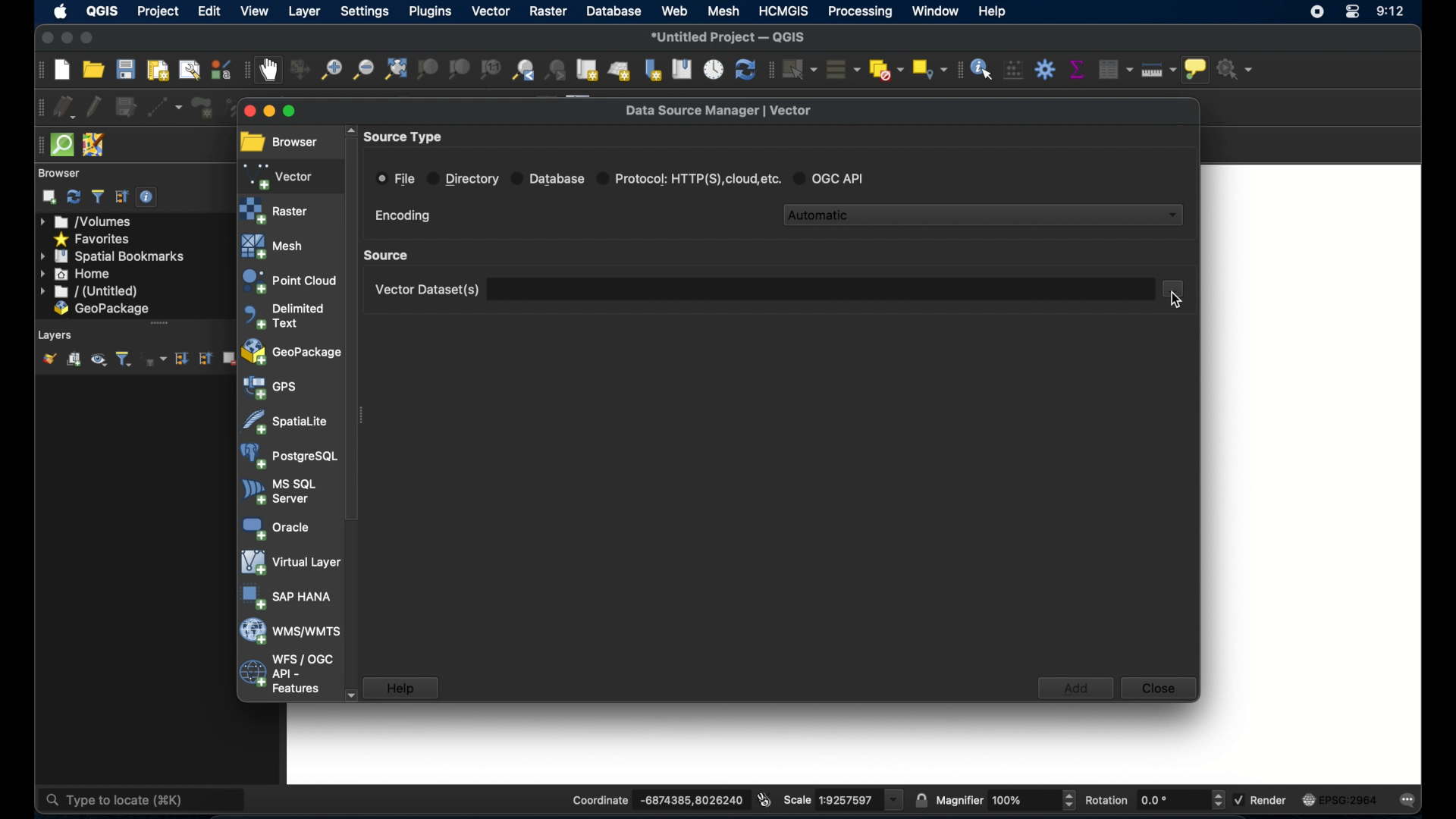 The height and width of the screenshot is (819, 1456). Describe the element at coordinates (113, 256) in the screenshot. I see `spatial bookmarks` at that location.